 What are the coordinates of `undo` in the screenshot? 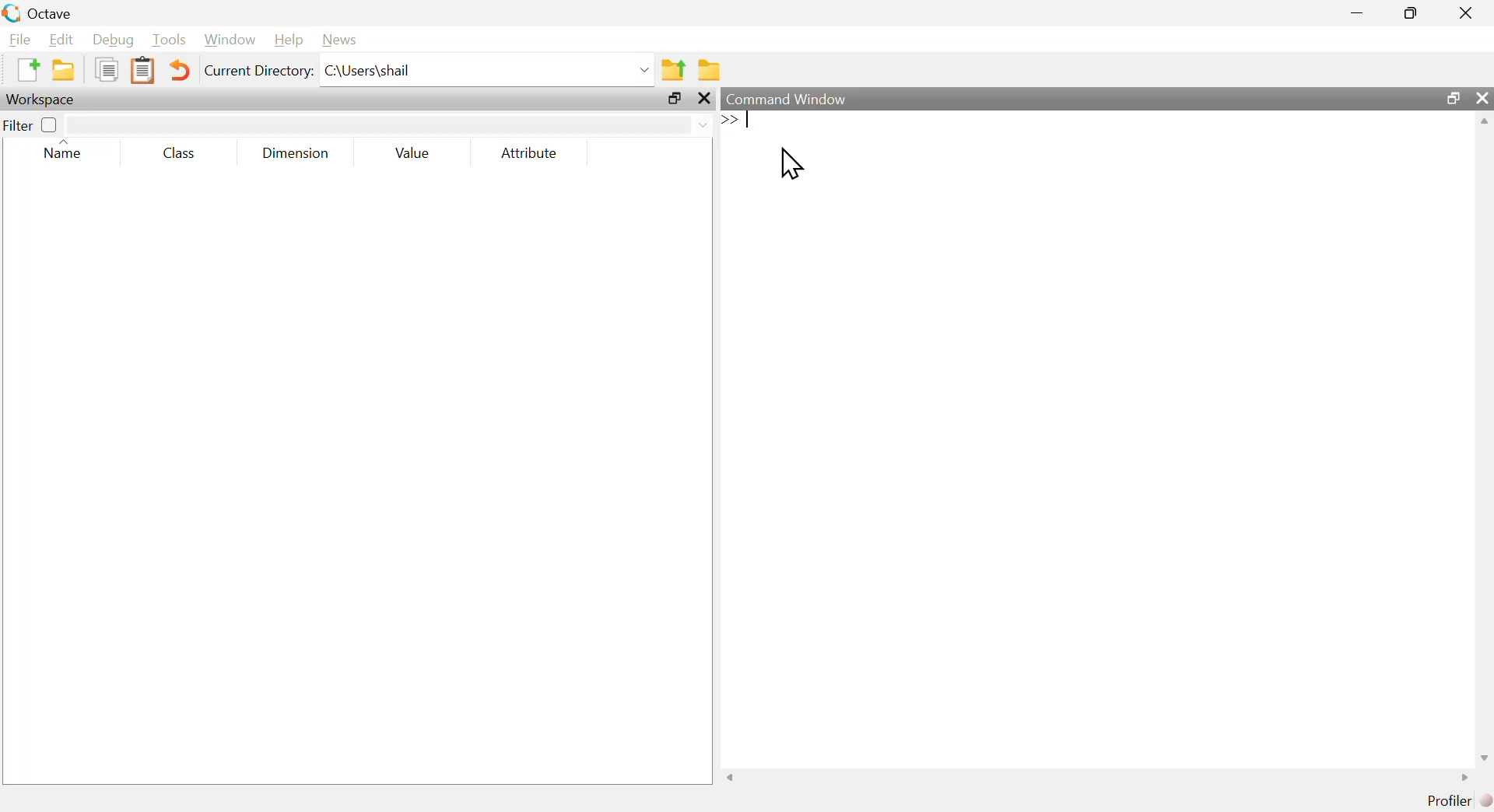 It's located at (182, 72).